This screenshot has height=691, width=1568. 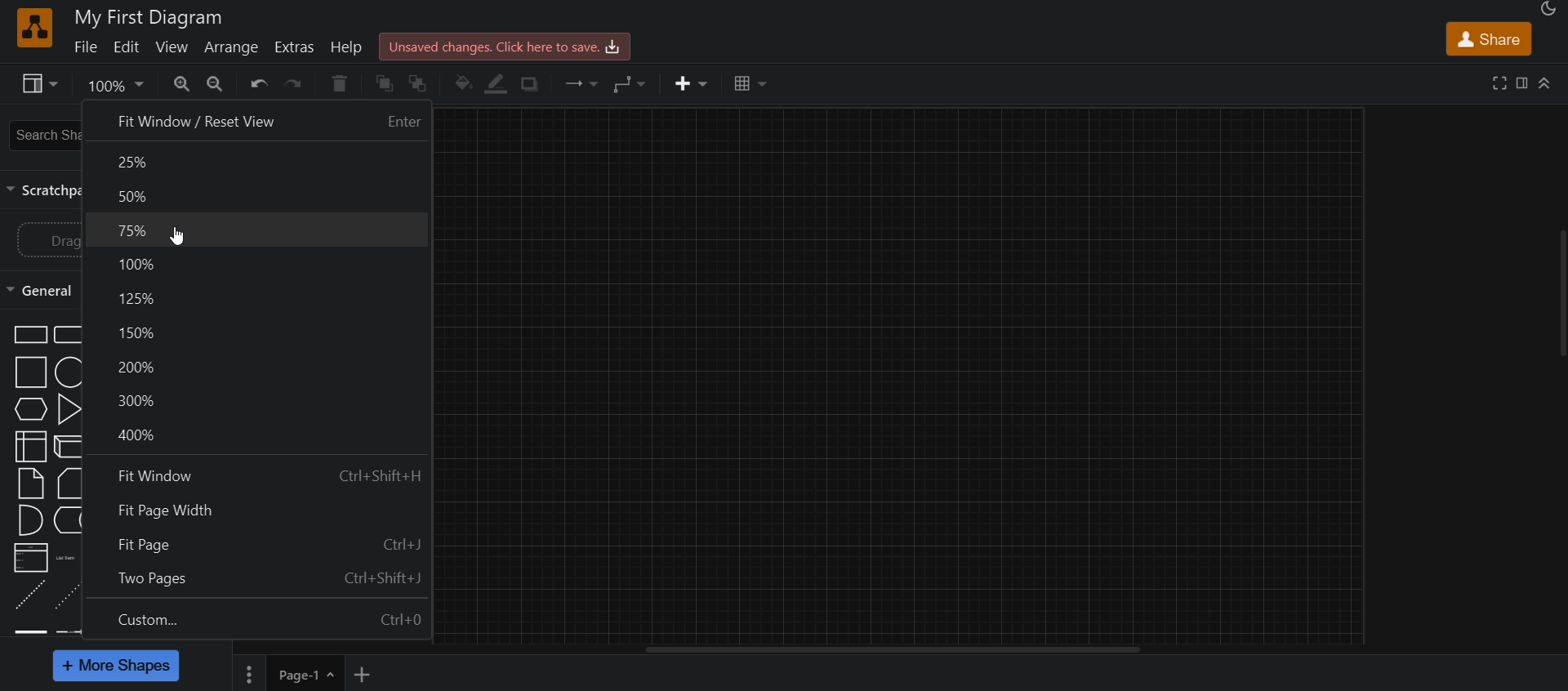 What do you see at coordinates (87, 51) in the screenshot?
I see `file` at bounding box center [87, 51].